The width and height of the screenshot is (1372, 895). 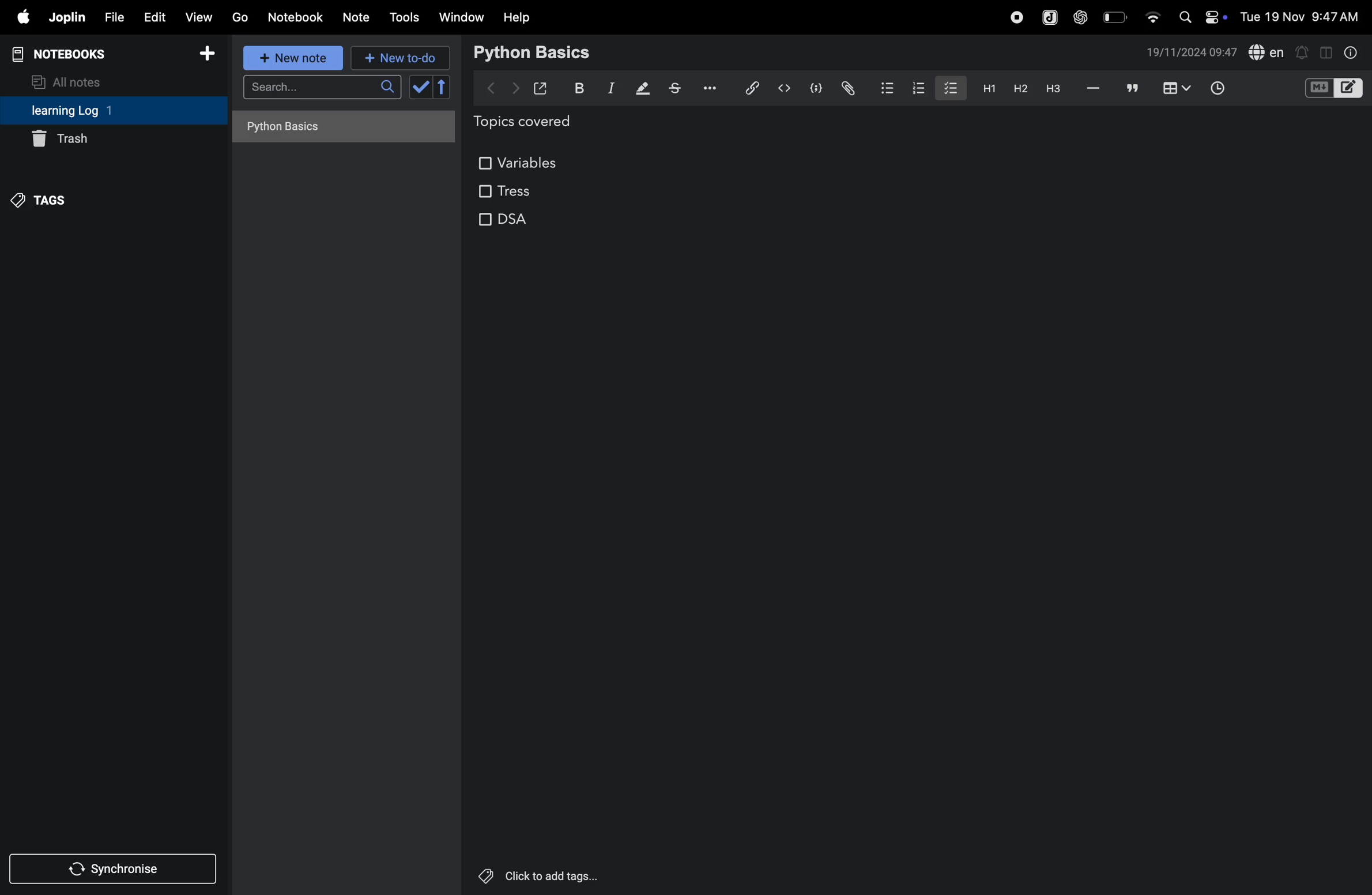 What do you see at coordinates (1303, 51) in the screenshot?
I see `alert` at bounding box center [1303, 51].